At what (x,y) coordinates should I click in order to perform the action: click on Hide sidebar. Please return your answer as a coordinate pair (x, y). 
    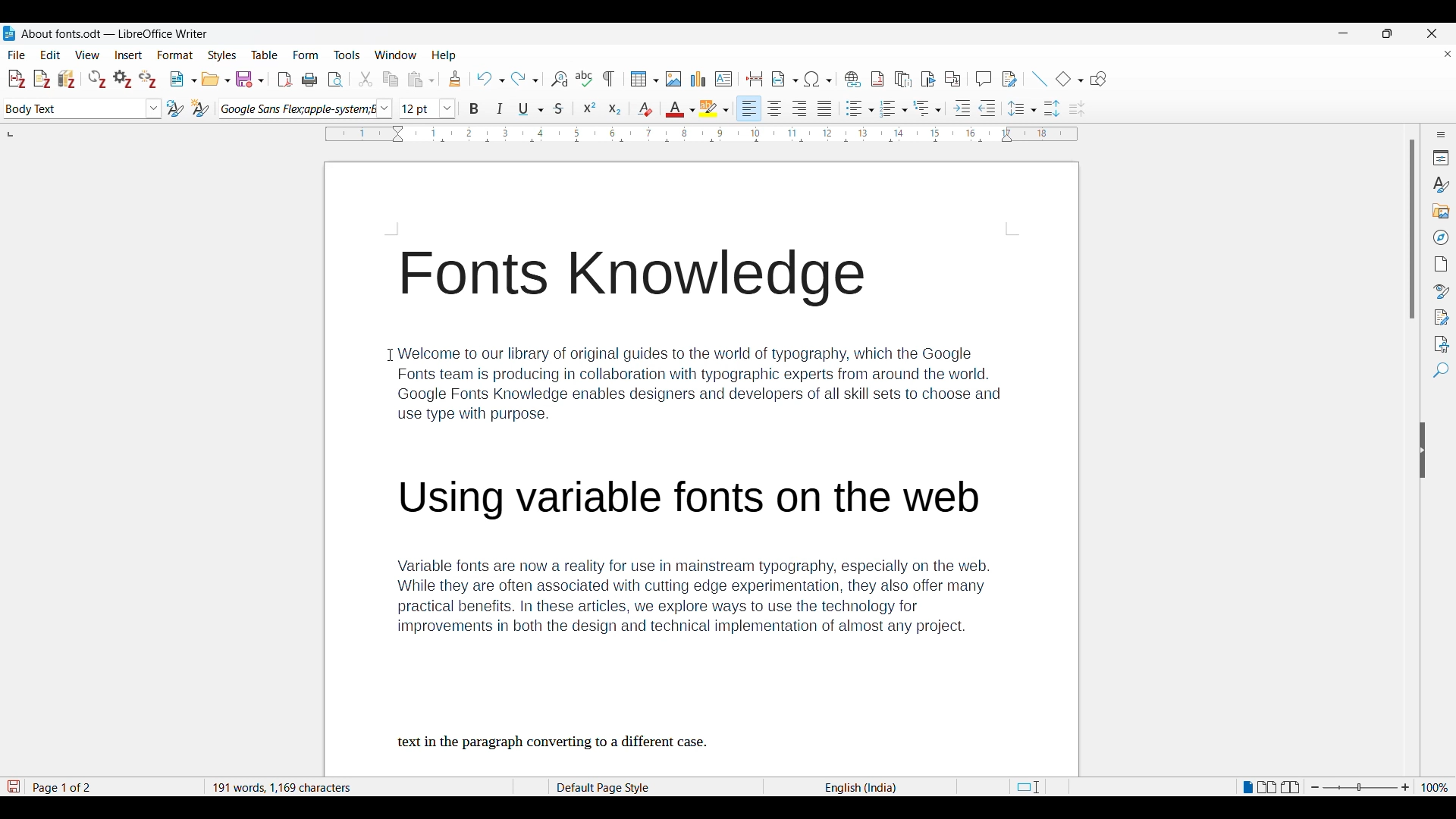
    Looking at the image, I should click on (1423, 450).